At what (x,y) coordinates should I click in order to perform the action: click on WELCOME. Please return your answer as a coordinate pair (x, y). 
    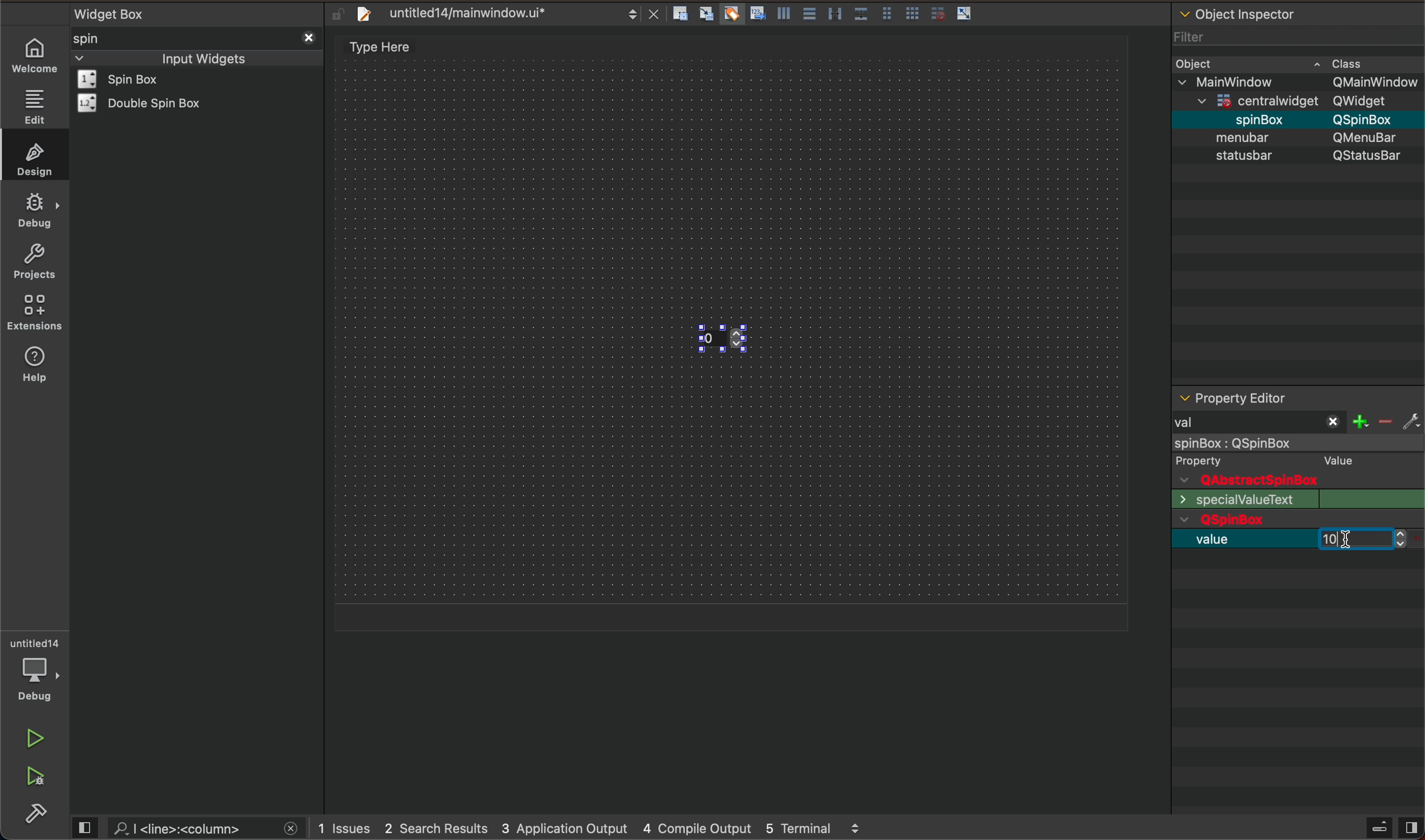
    Looking at the image, I should click on (36, 56).